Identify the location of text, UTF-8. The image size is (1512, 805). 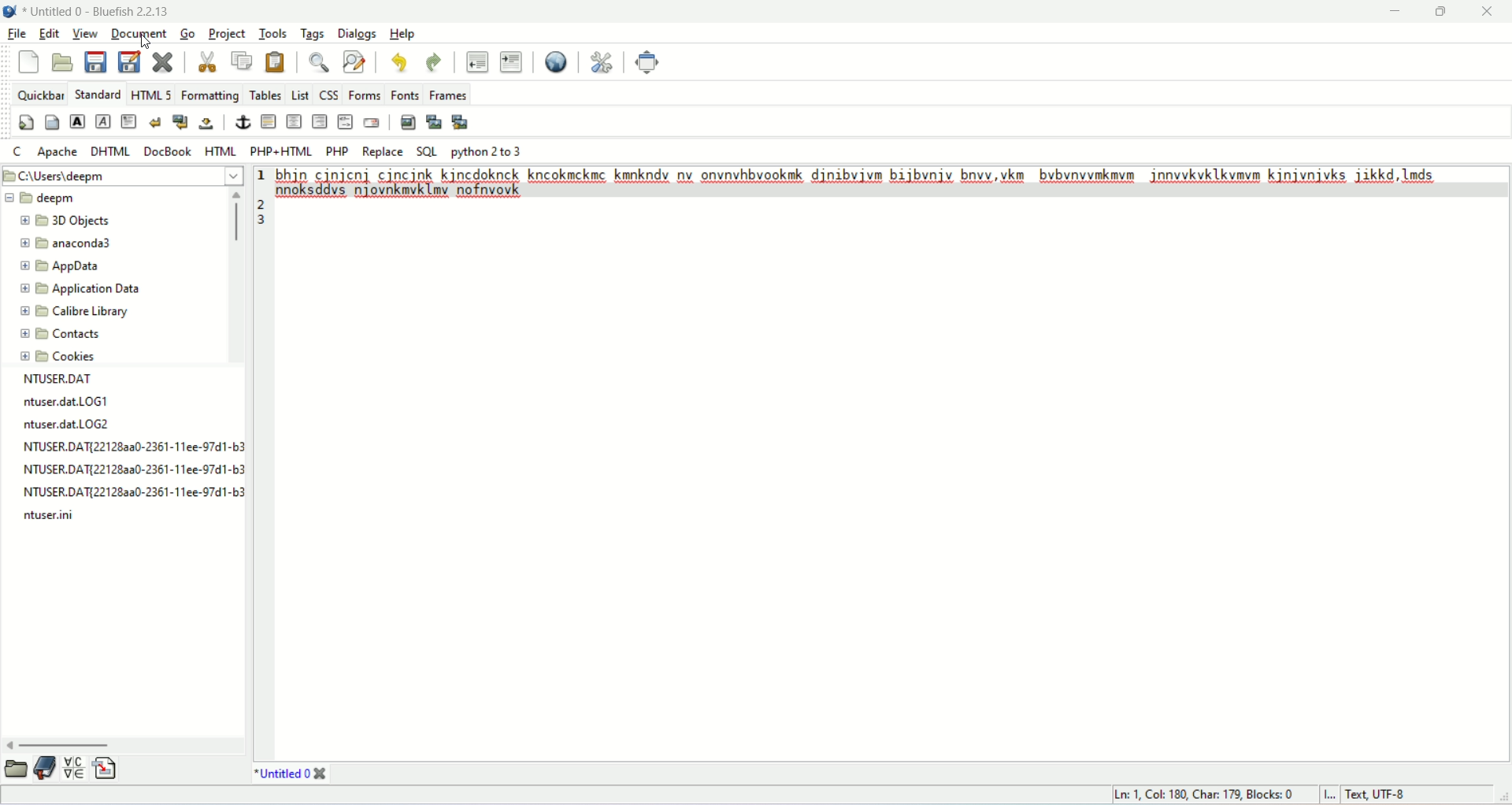
(1380, 796).